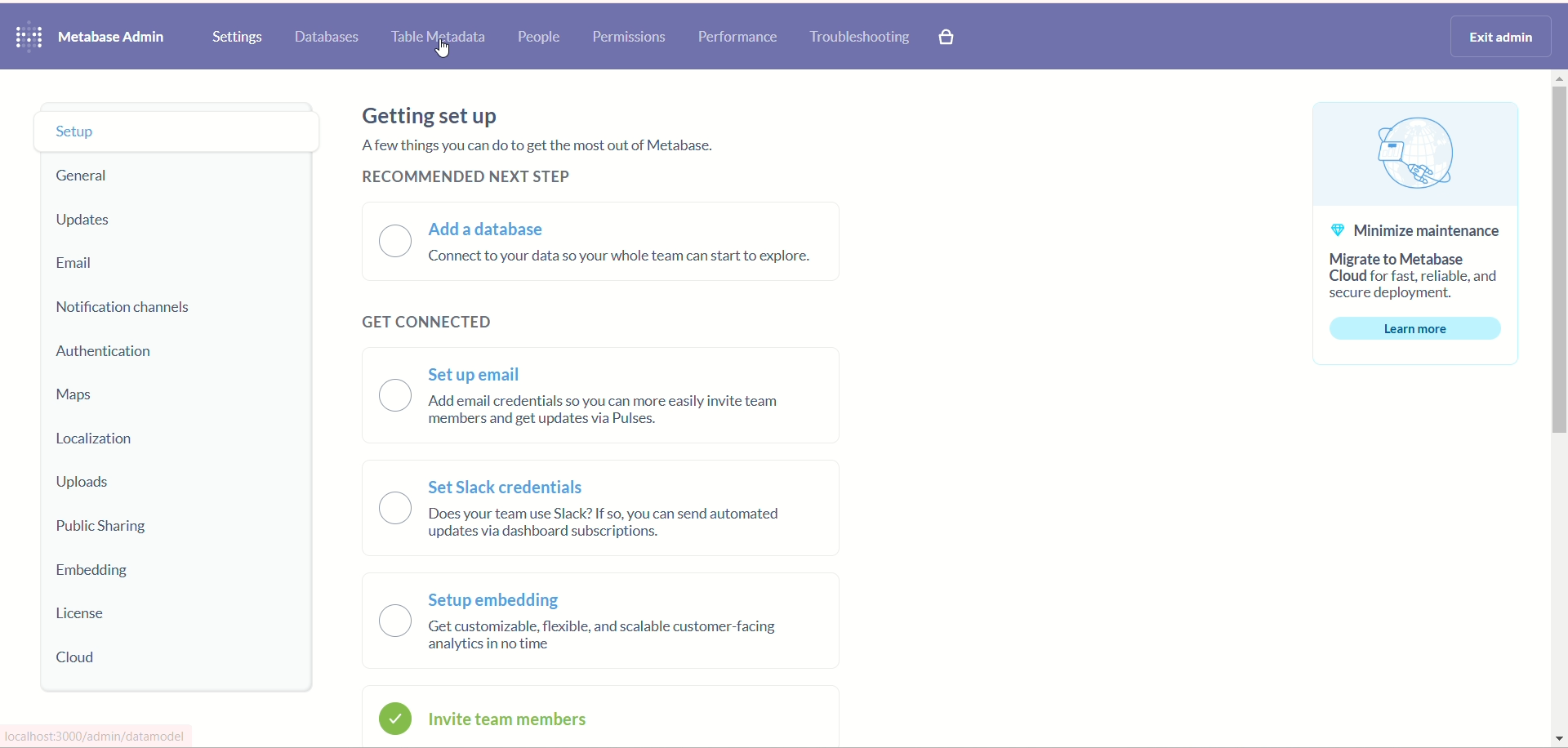 This screenshot has height=748, width=1568. Describe the element at coordinates (1502, 37) in the screenshot. I see `exit admin` at that location.